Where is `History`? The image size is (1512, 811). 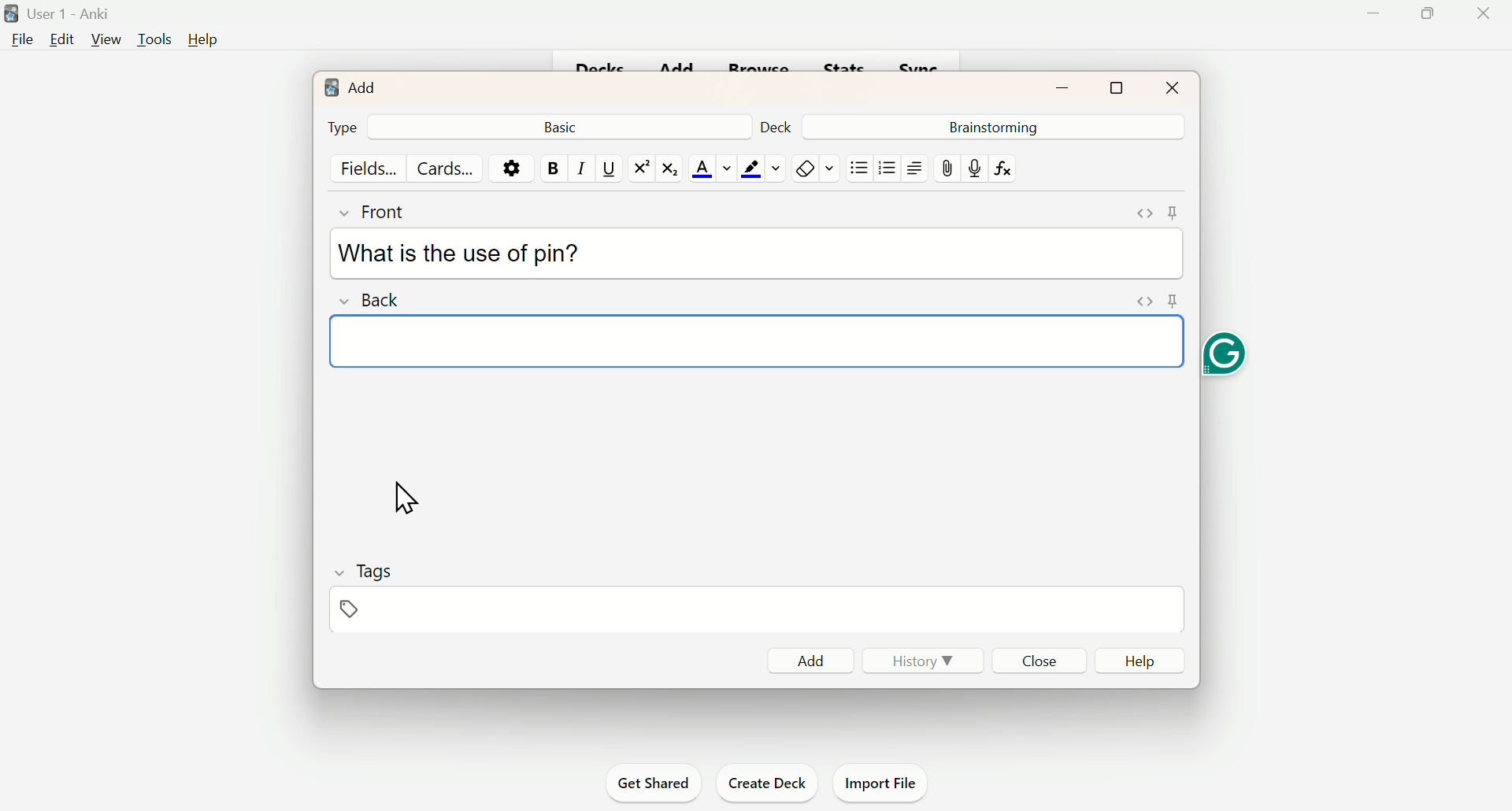 History is located at coordinates (916, 659).